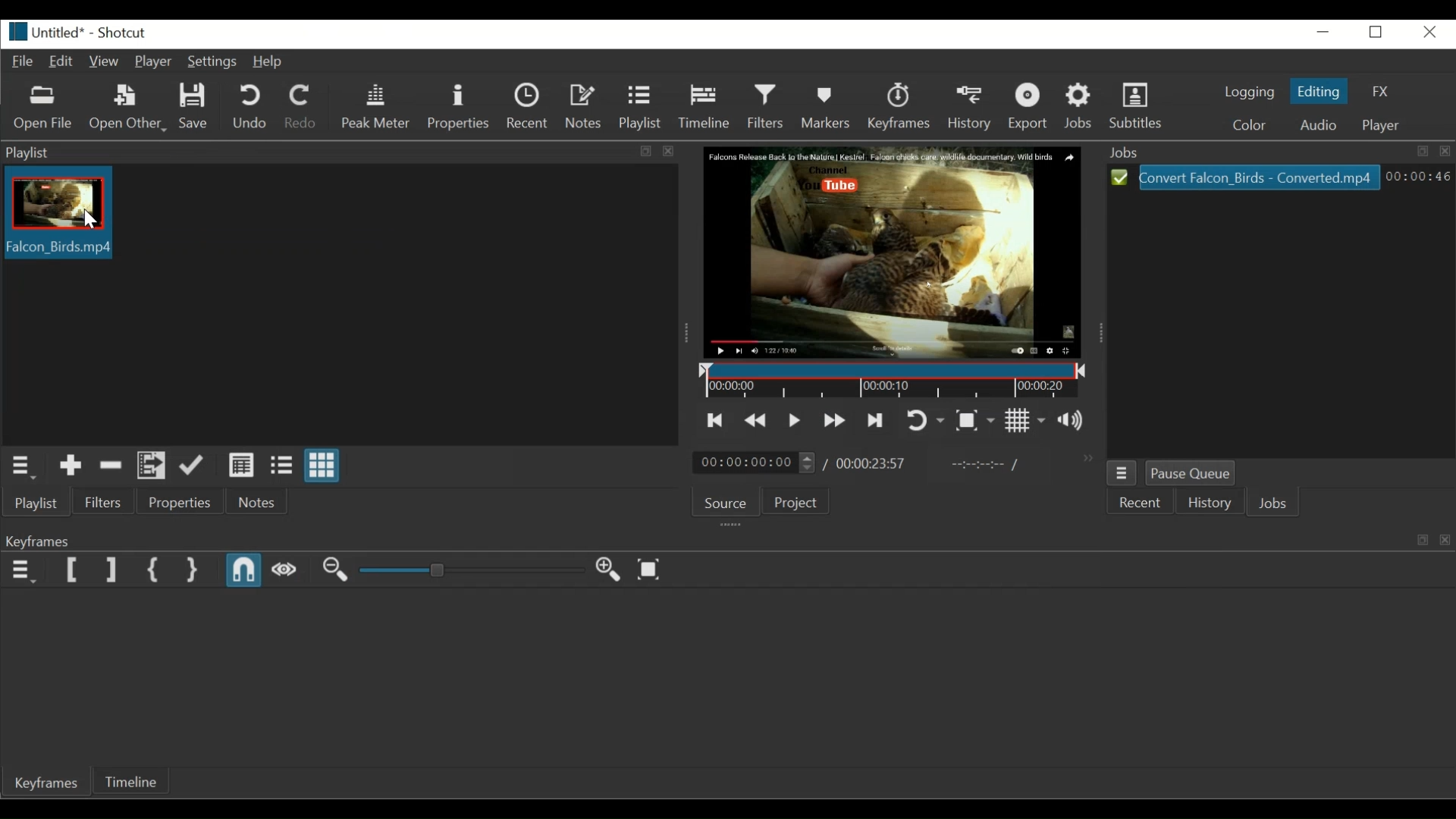 This screenshot has width=1456, height=819. I want to click on 00:00:00:00(Current position), so click(753, 463).